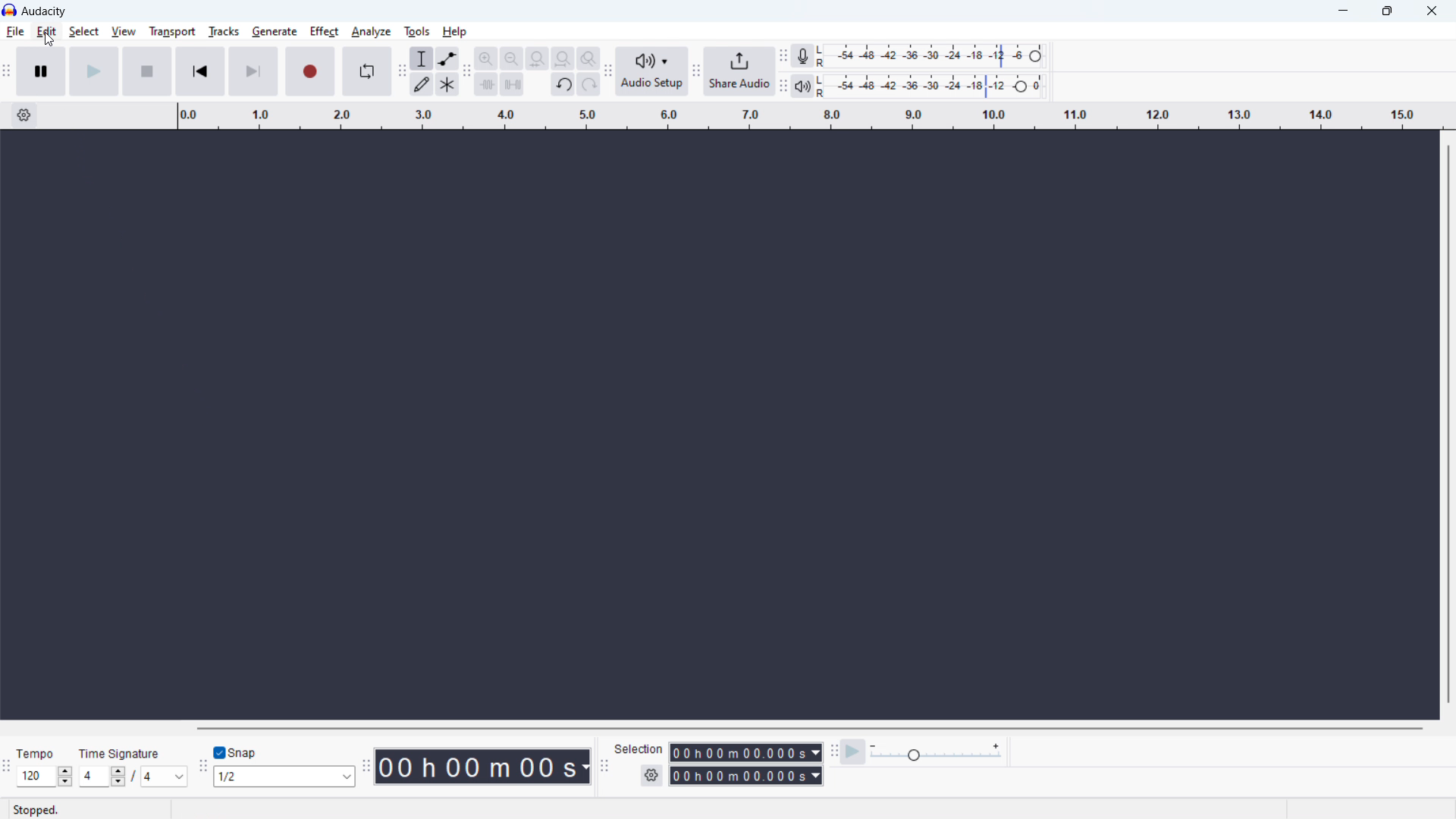 The height and width of the screenshot is (819, 1456). What do you see at coordinates (740, 71) in the screenshot?
I see `share audio` at bounding box center [740, 71].